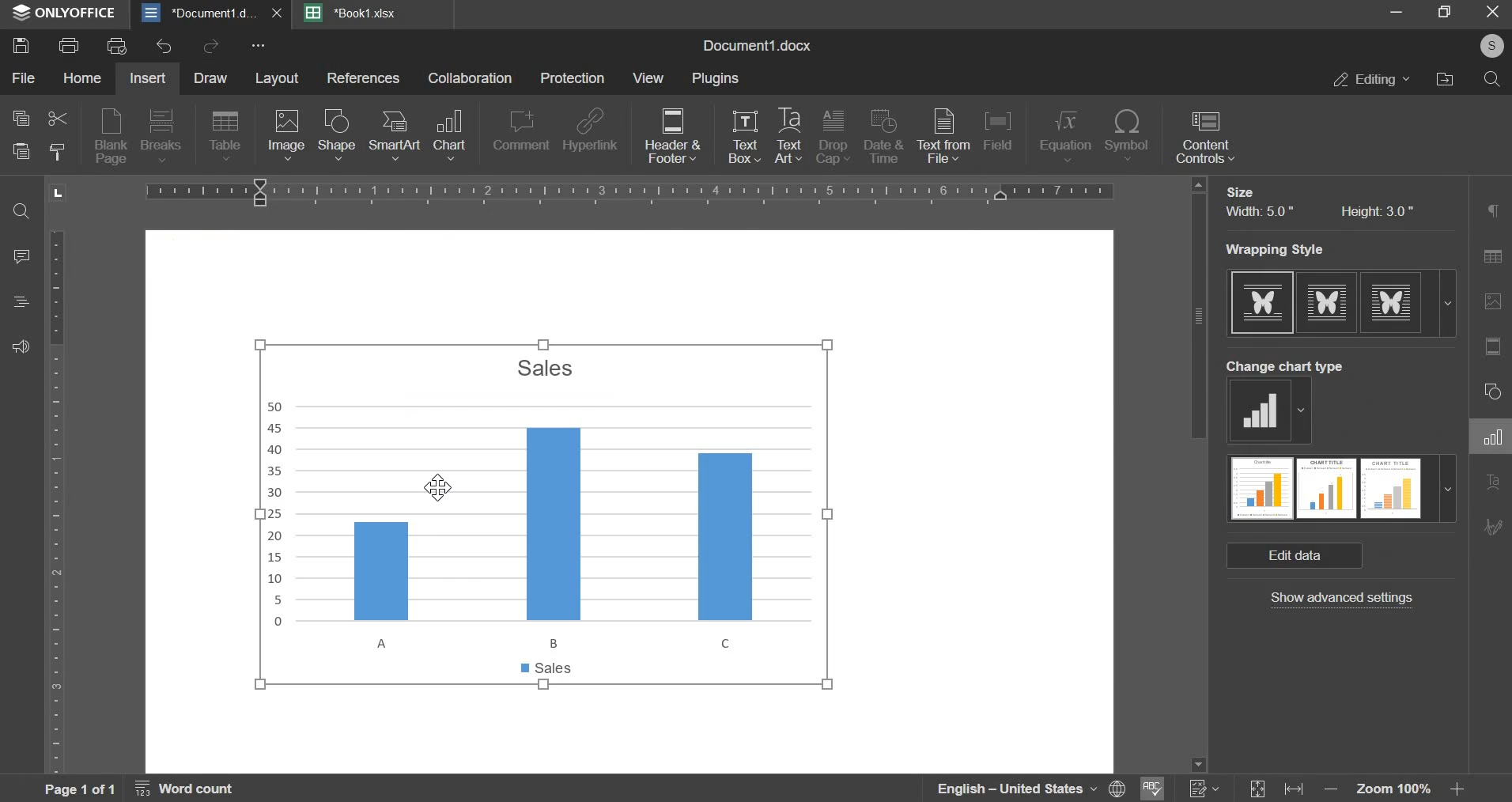 This screenshot has height=802, width=1512. What do you see at coordinates (108, 138) in the screenshot?
I see `insert blank page` at bounding box center [108, 138].